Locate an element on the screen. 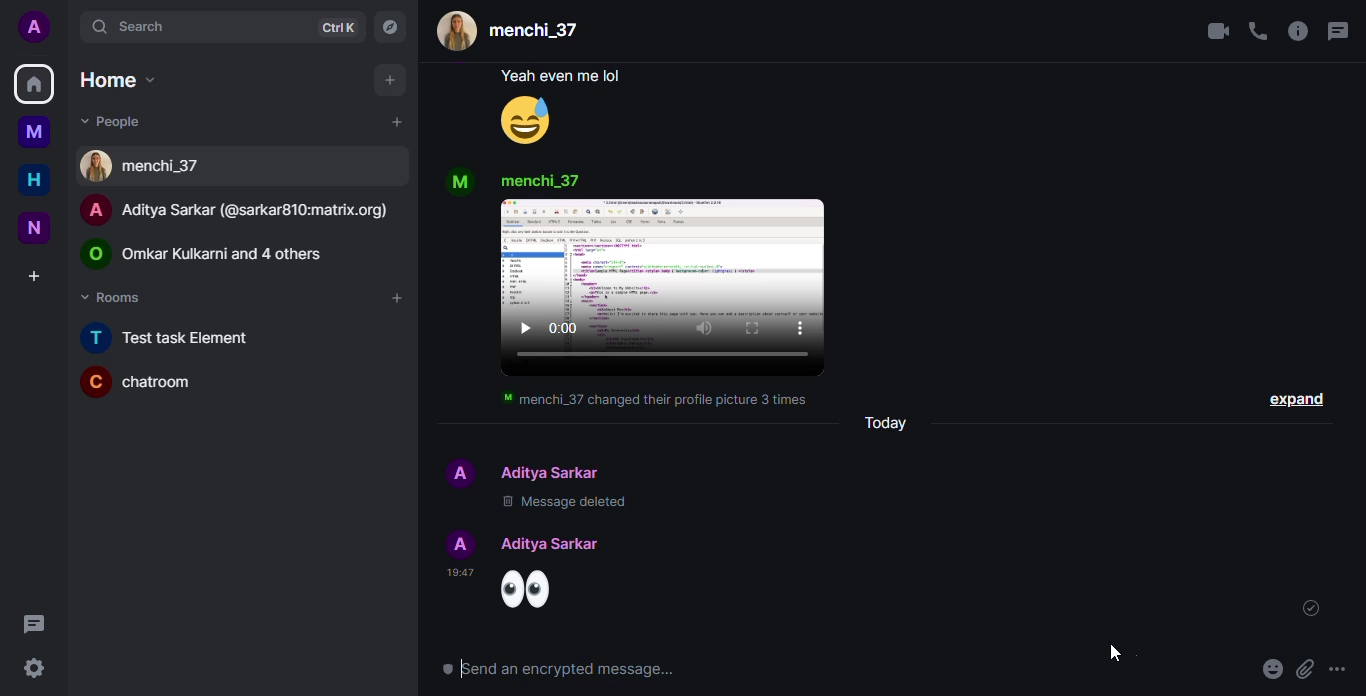 The height and width of the screenshot is (696, 1366). myspace is located at coordinates (37, 132).